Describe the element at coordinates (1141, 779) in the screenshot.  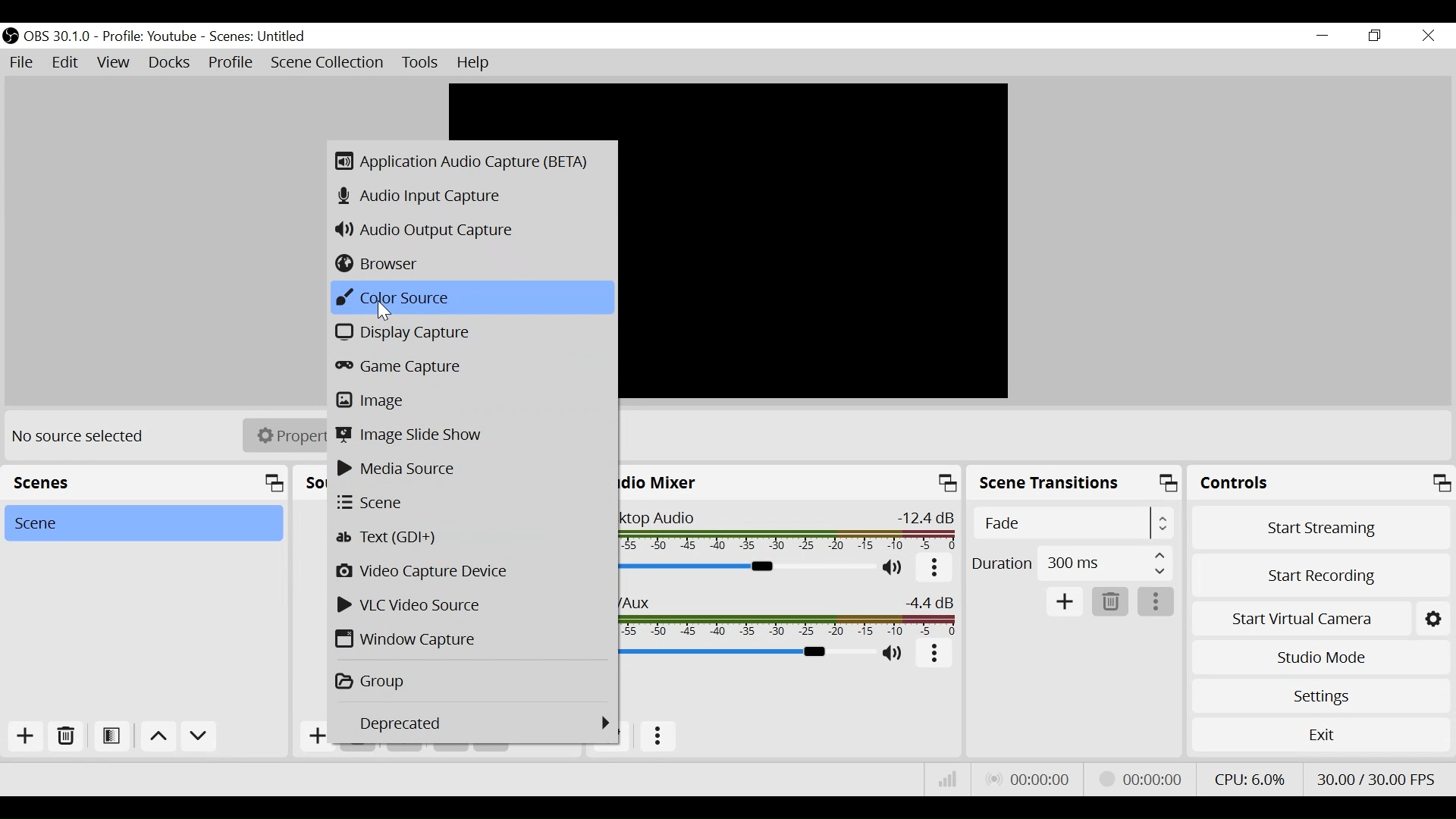
I see `Streaming Status` at that location.